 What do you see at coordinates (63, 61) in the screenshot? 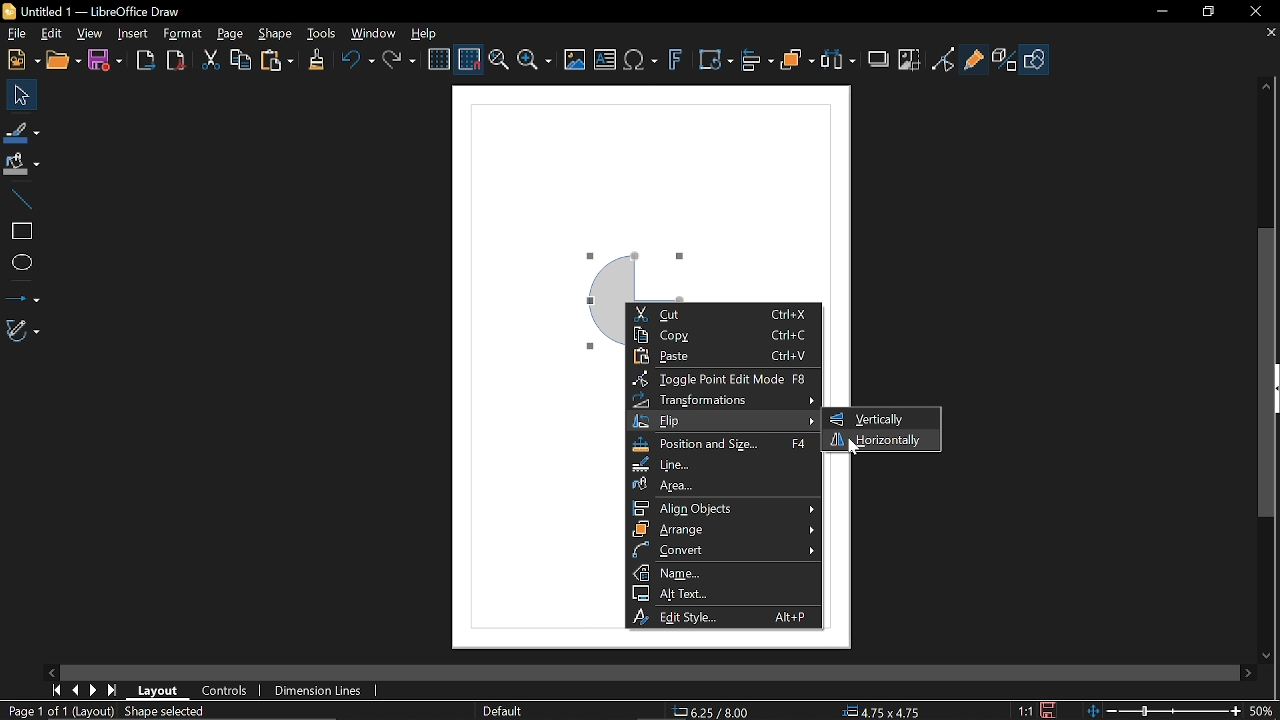
I see `open` at bounding box center [63, 61].